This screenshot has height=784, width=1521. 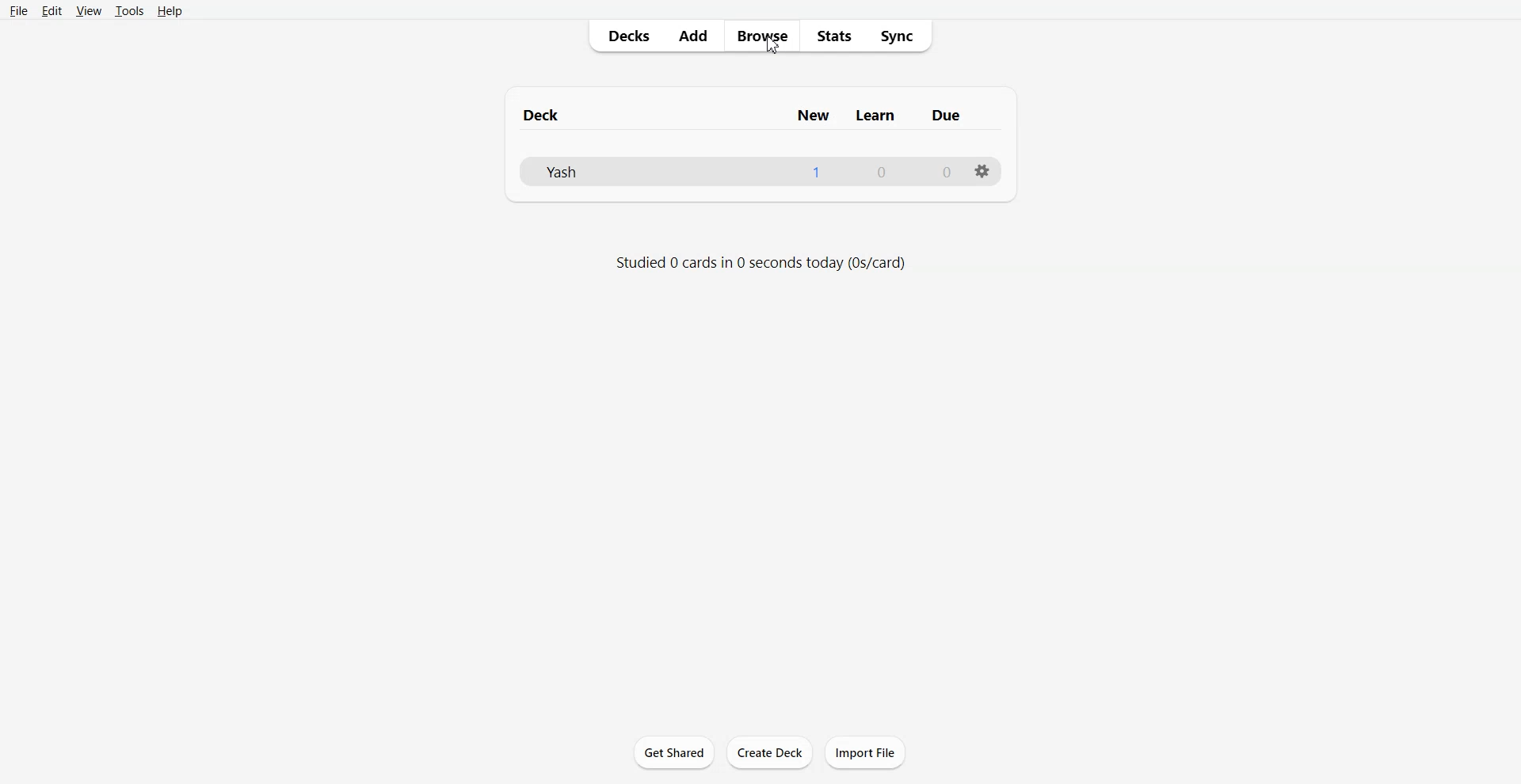 I want to click on Import File, so click(x=866, y=752).